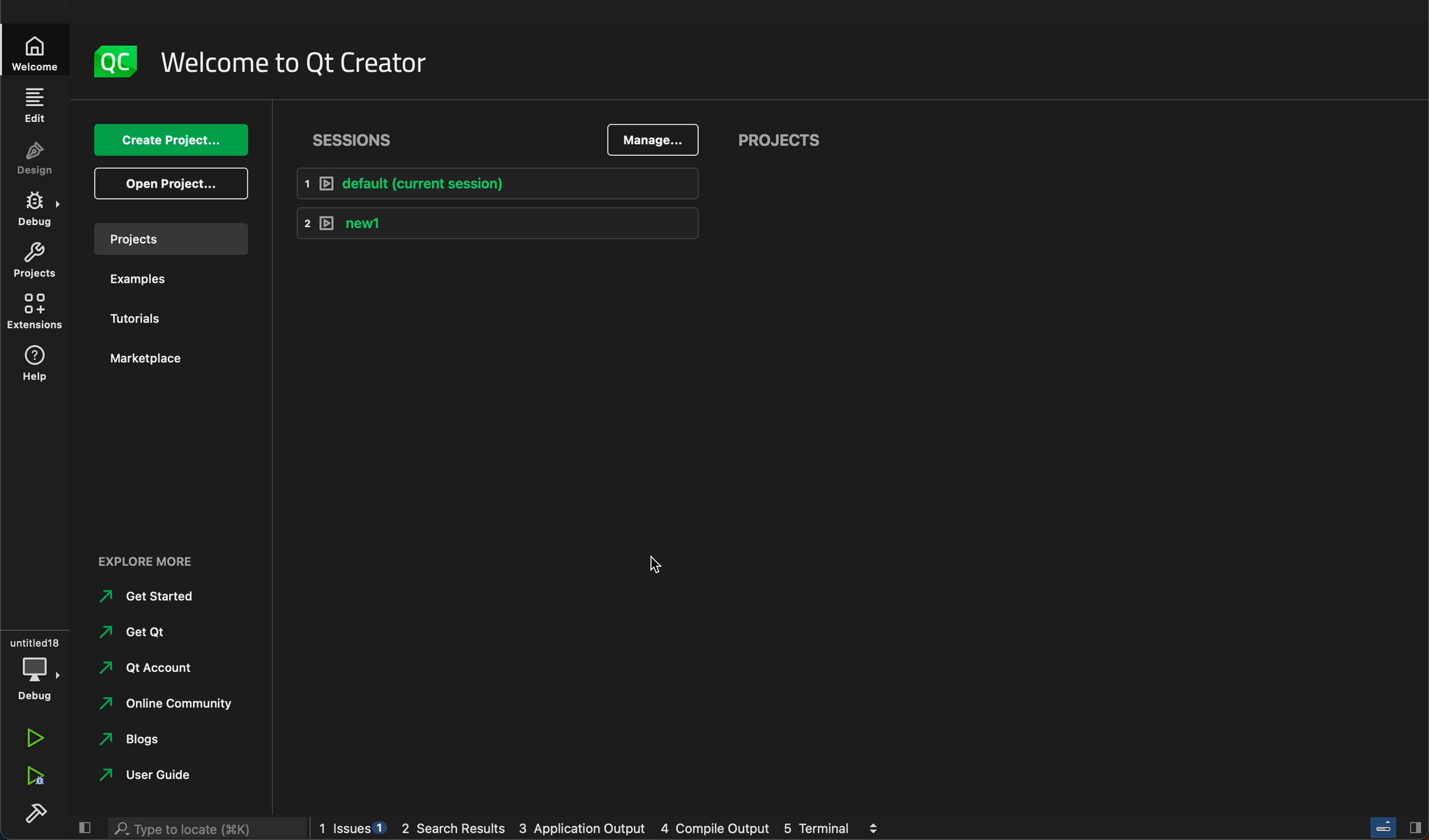 The height and width of the screenshot is (840, 1429). I want to click on tutorials, so click(155, 317).